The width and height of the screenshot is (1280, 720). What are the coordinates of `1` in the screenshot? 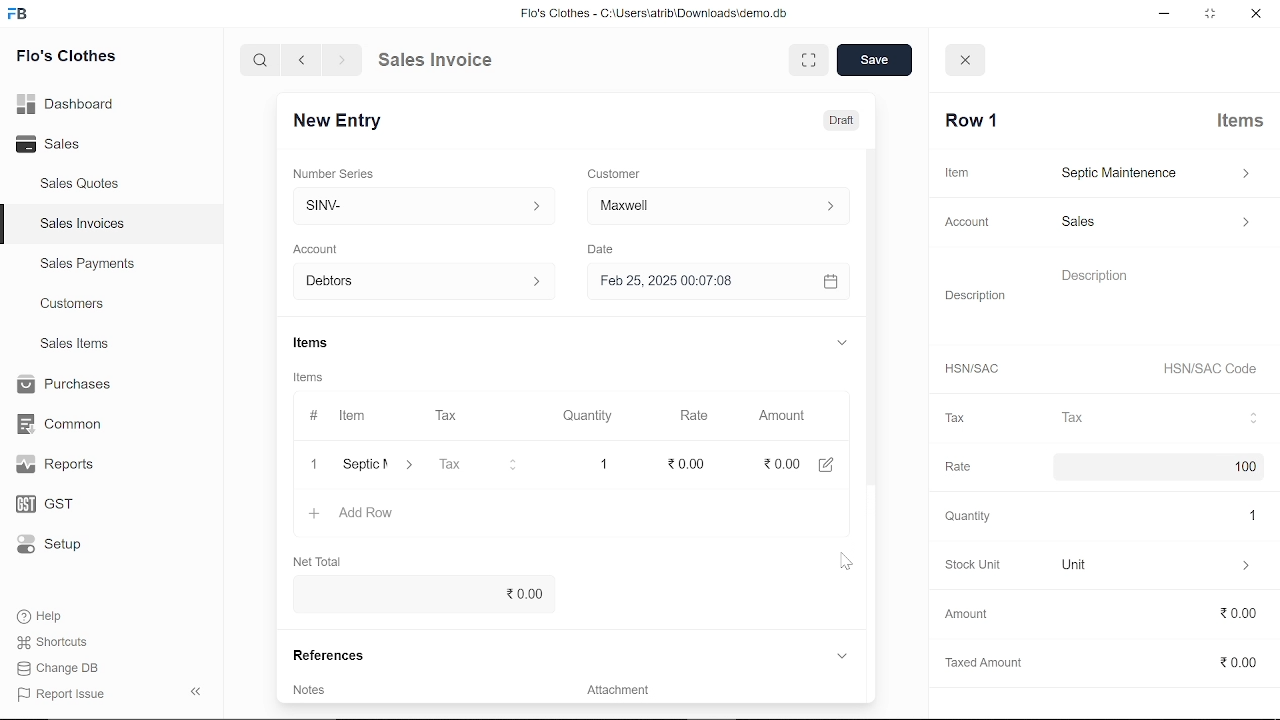 It's located at (602, 461).